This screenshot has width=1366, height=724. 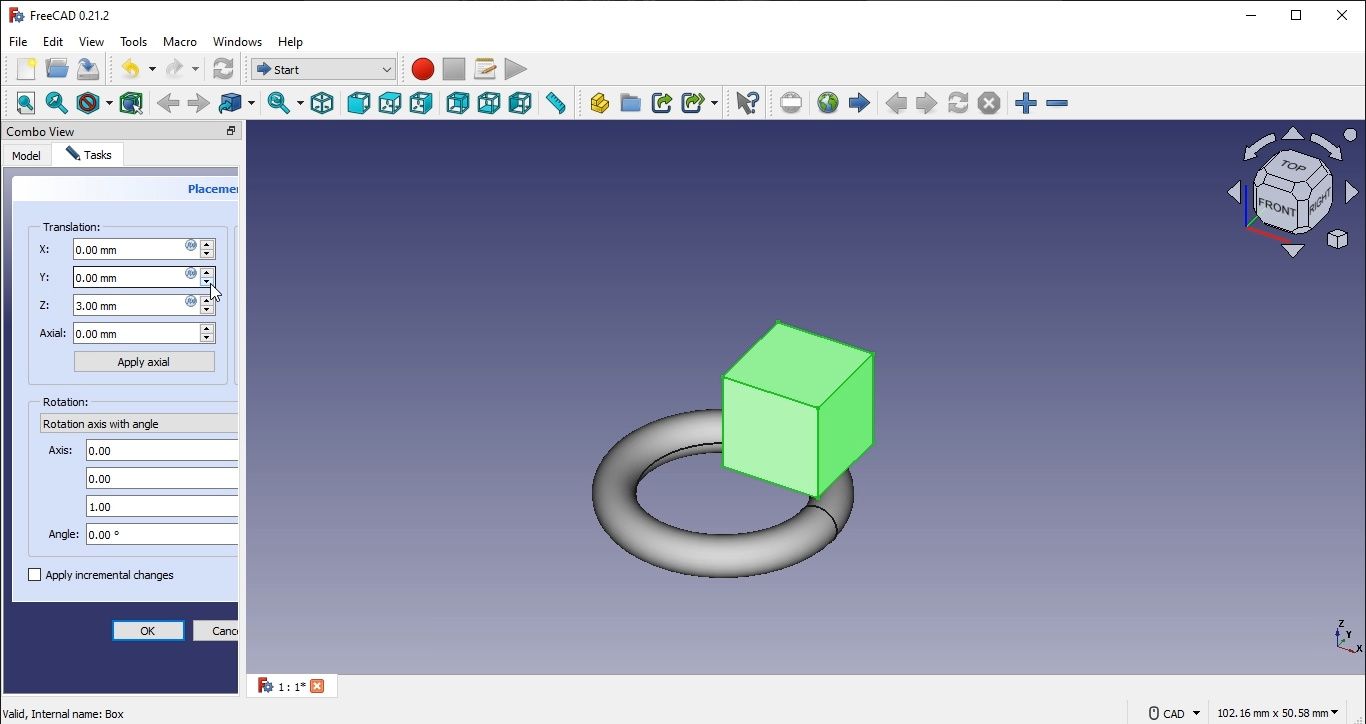 What do you see at coordinates (200, 102) in the screenshot?
I see `forward` at bounding box center [200, 102].